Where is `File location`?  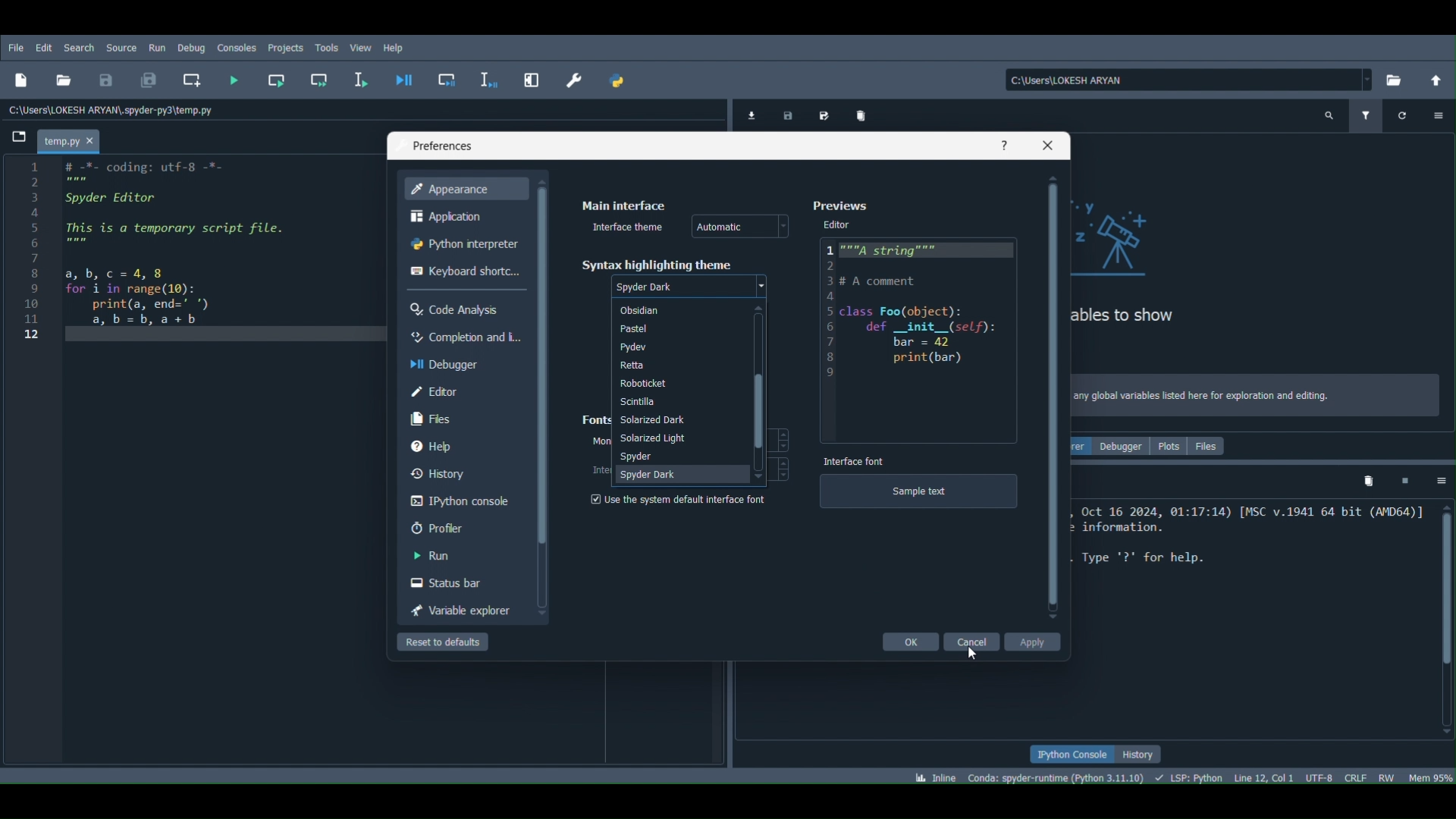
File location is located at coordinates (1185, 77).